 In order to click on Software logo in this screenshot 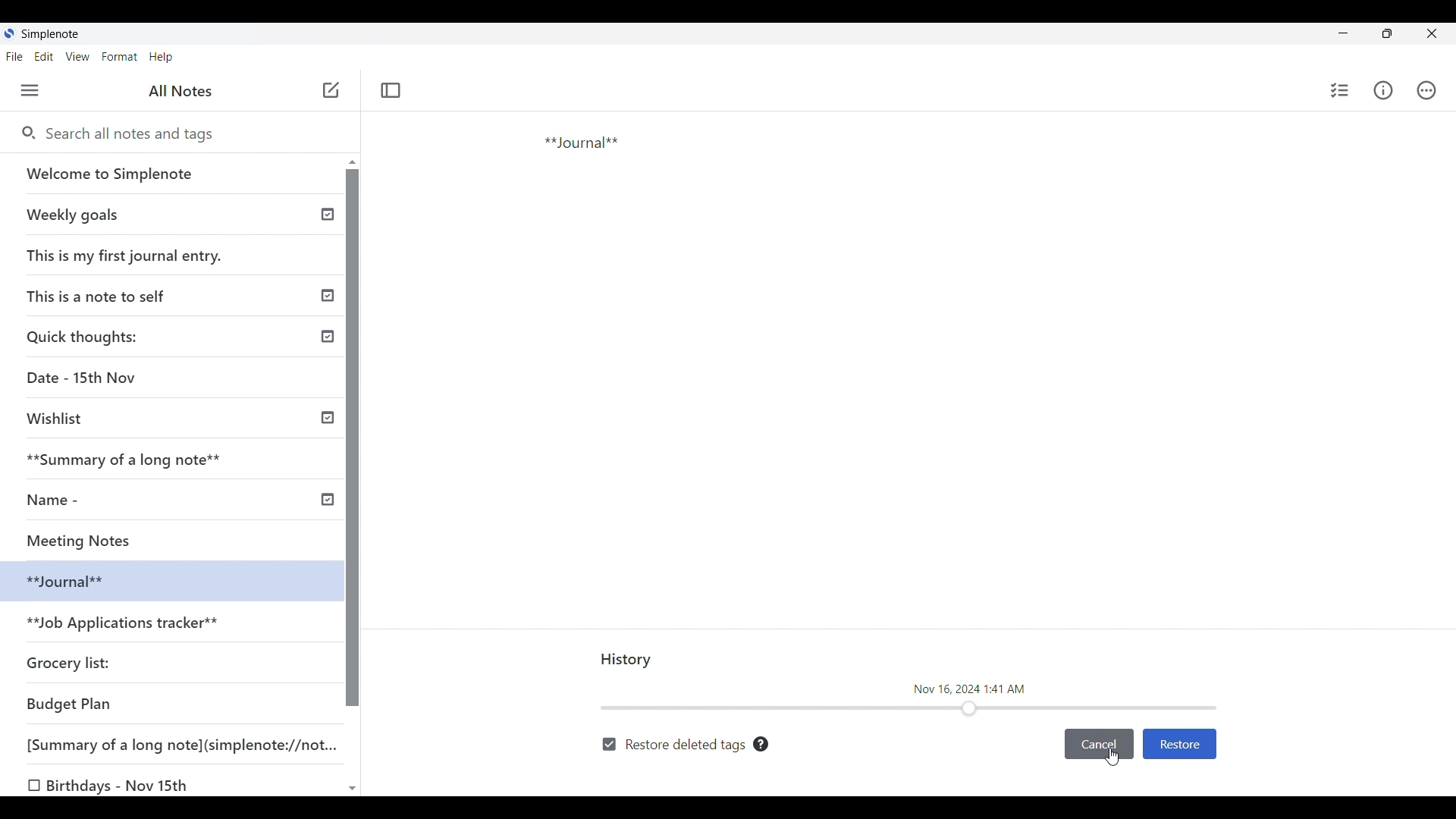, I will do `click(9, 33)`.